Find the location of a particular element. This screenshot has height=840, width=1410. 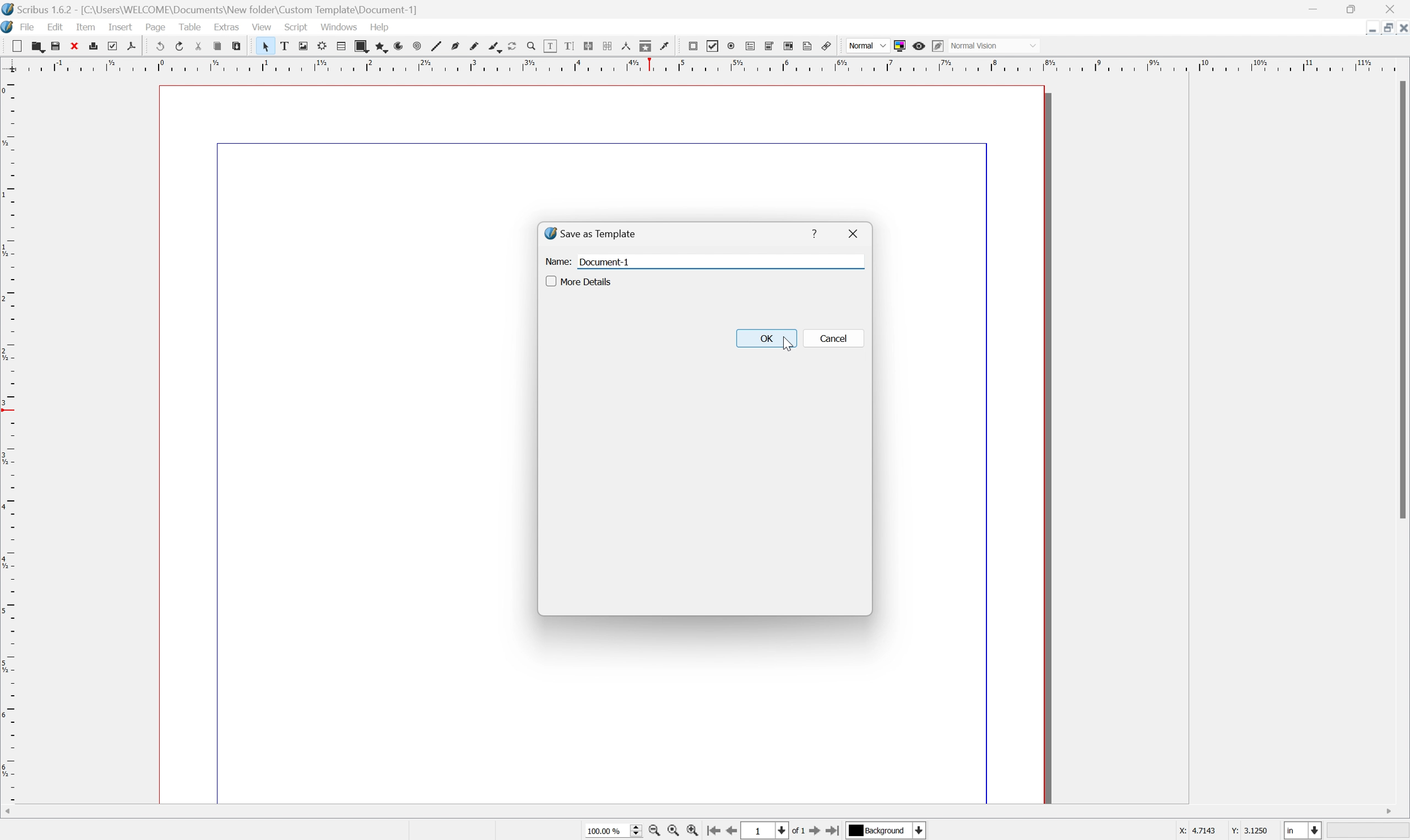

help is located at coordinates (383, 27).